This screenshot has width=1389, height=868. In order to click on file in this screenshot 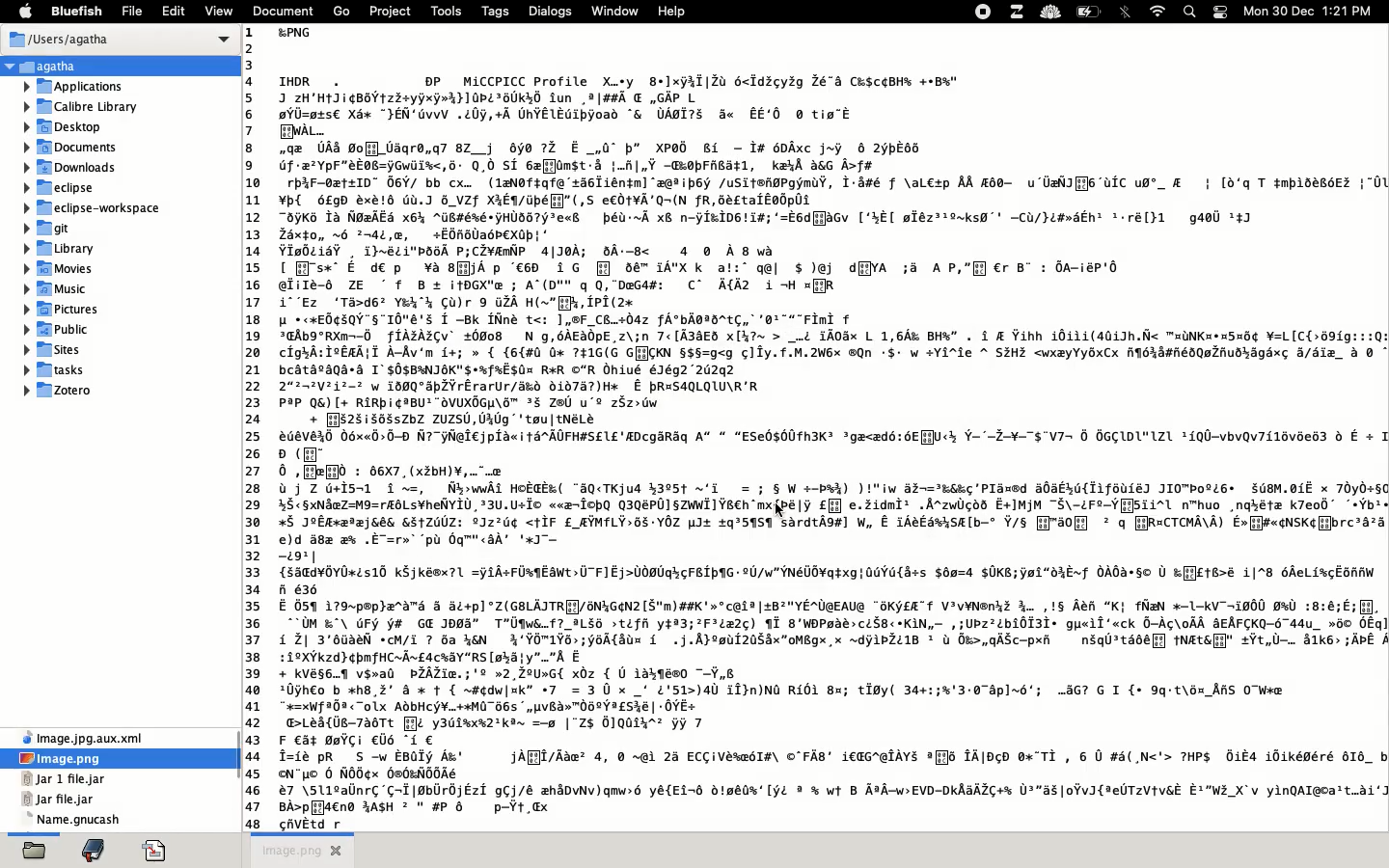, I will do `click(132, 13)`.